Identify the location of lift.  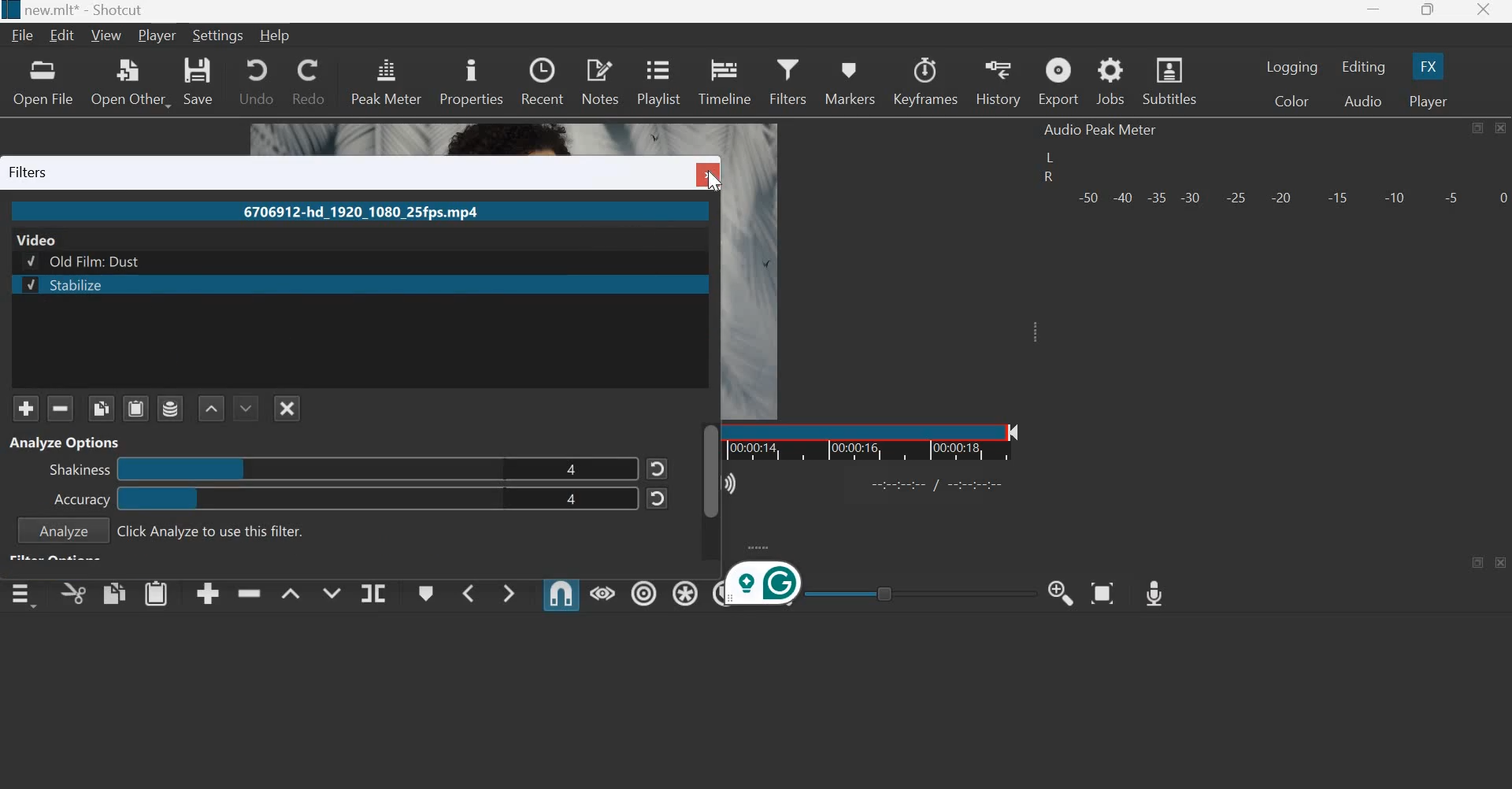
(291, 592).